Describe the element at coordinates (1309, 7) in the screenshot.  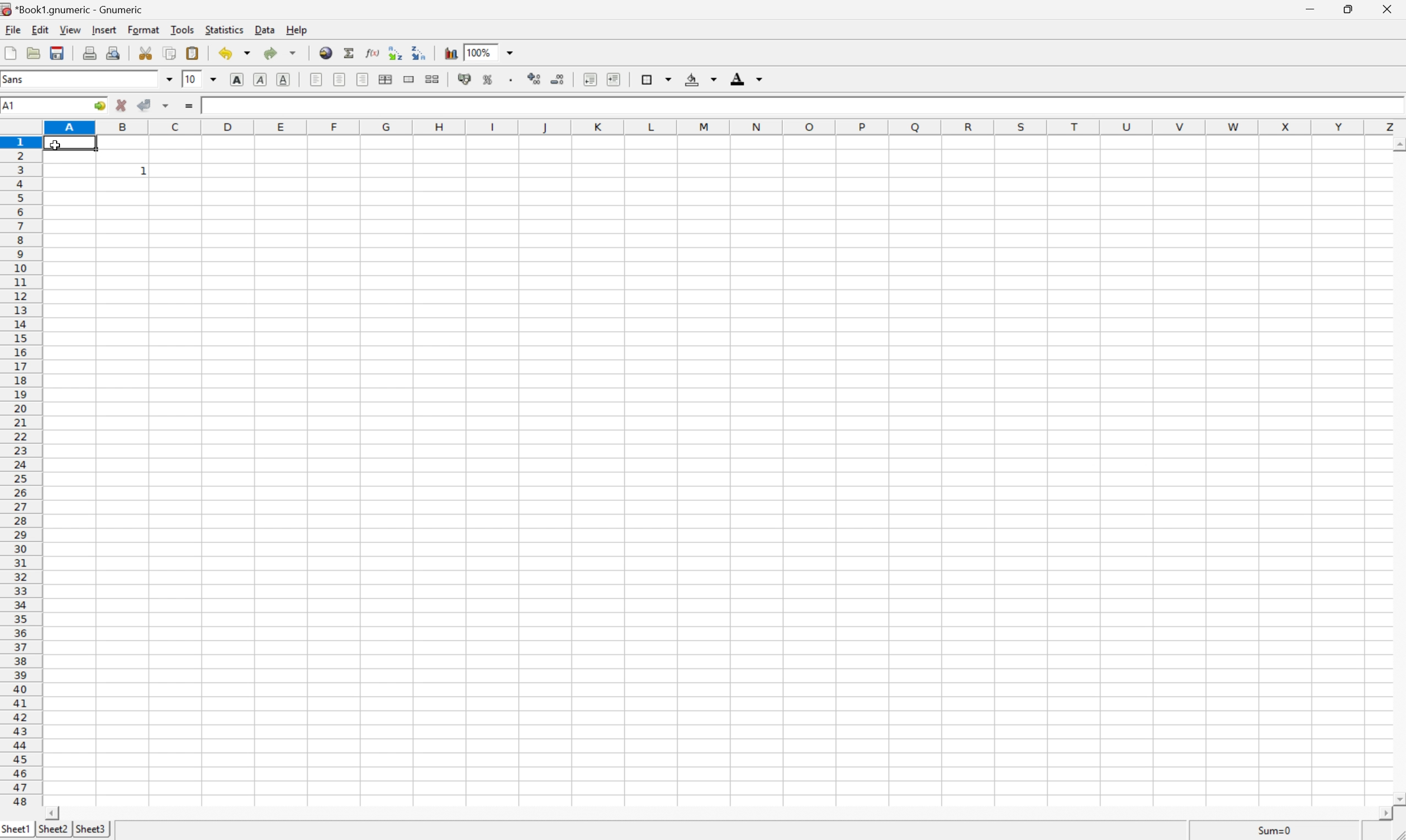
I see `minimize` at that location.